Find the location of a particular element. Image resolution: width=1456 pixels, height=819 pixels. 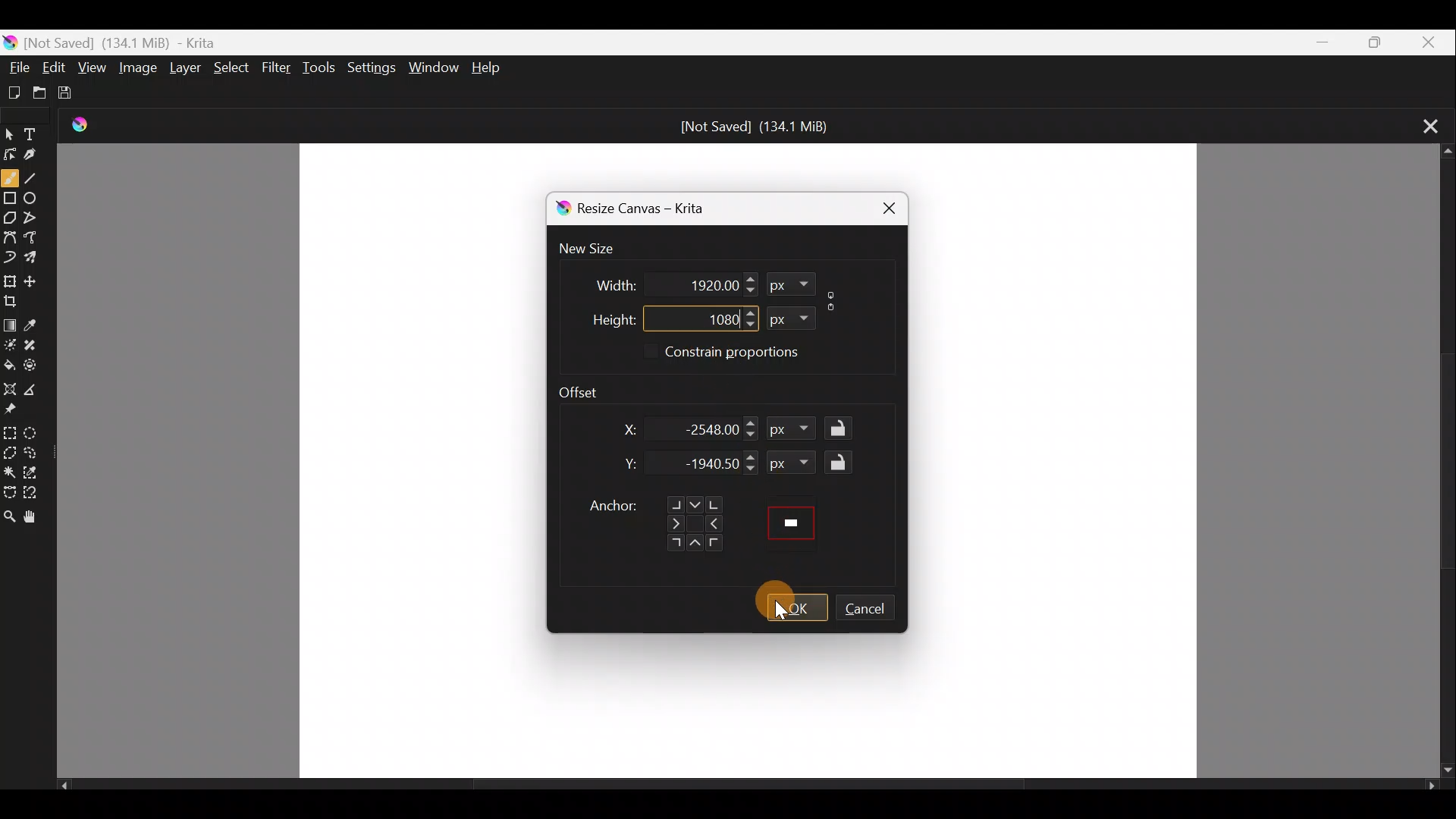

Open an existing document is located at coordinates (46, 93).